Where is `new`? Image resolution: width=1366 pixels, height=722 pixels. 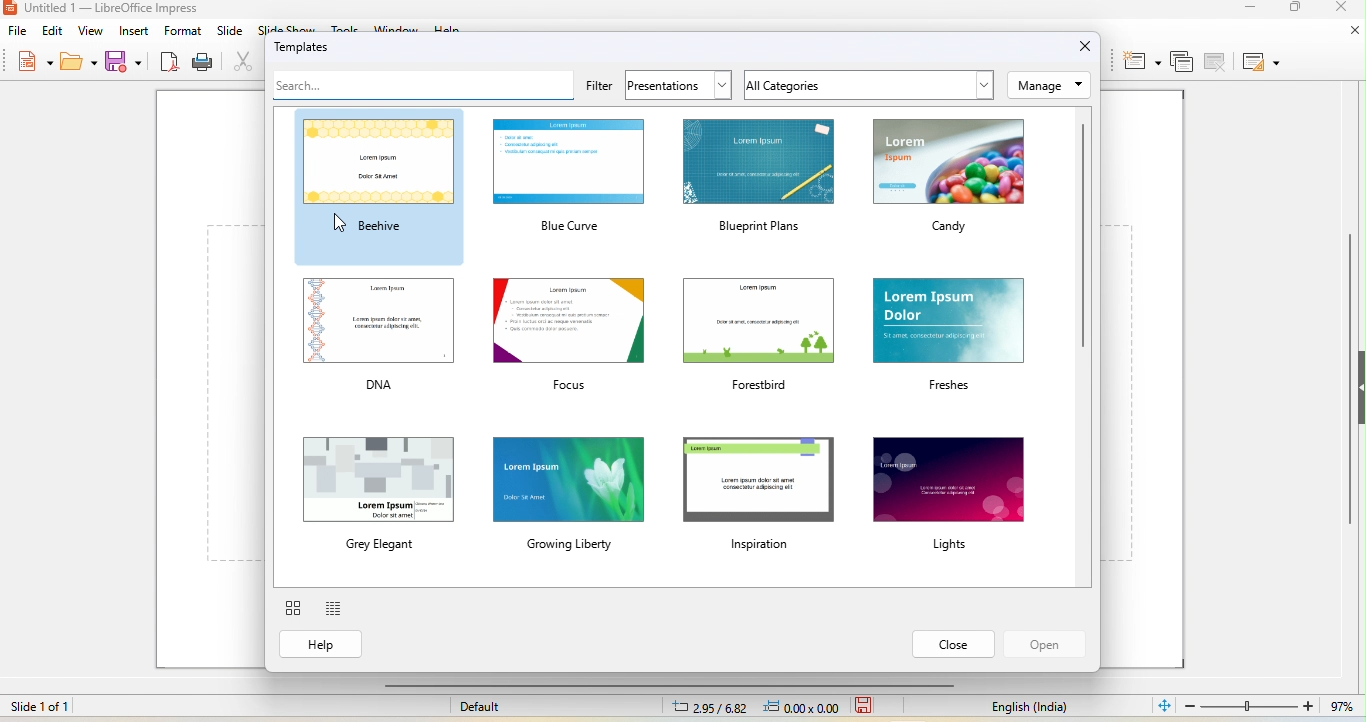 new is located at coordinates (36, 59).